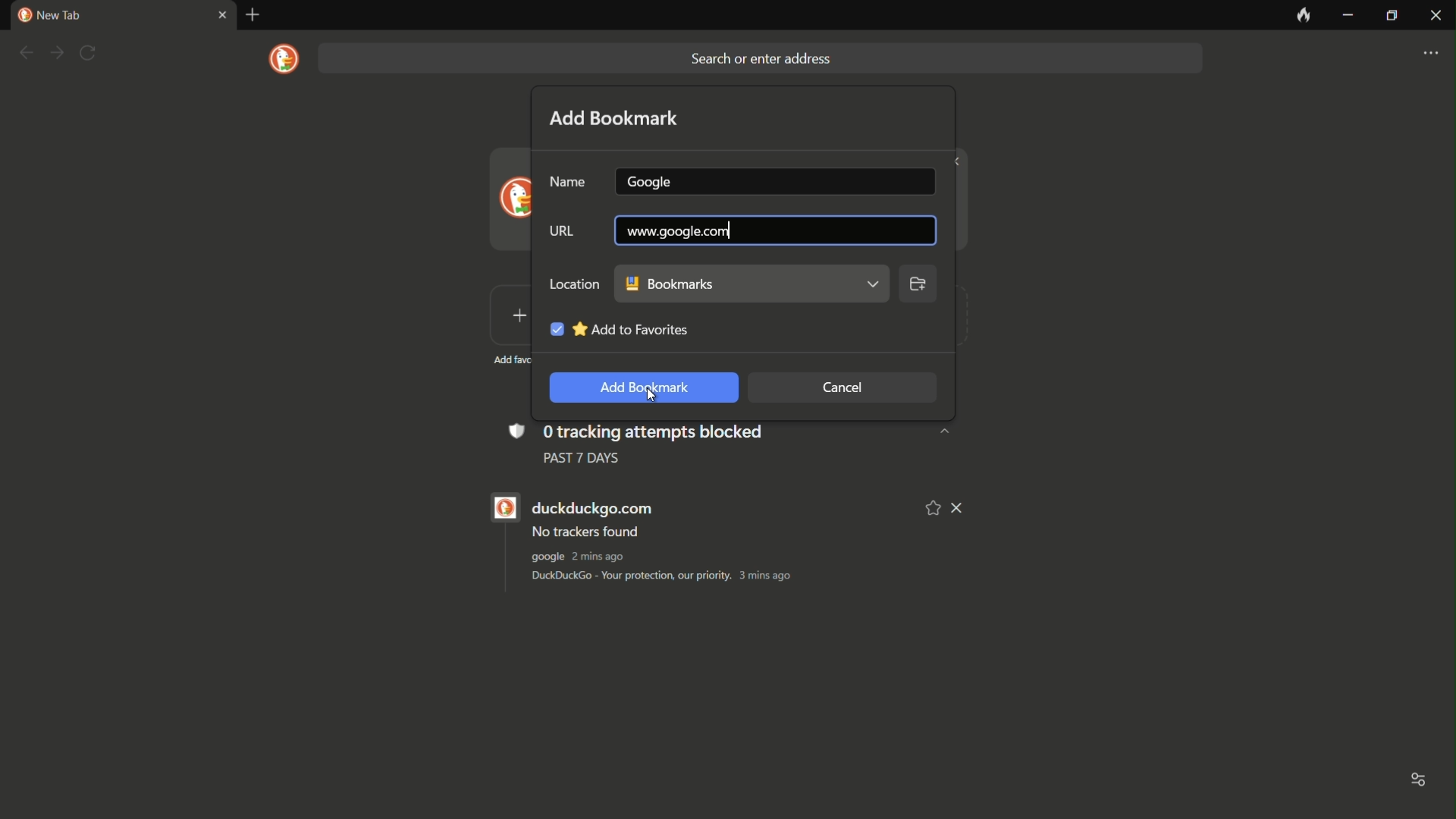 The height and width of the screenshot is (819, 1456). I want to click on close tab, so click(221, 16).